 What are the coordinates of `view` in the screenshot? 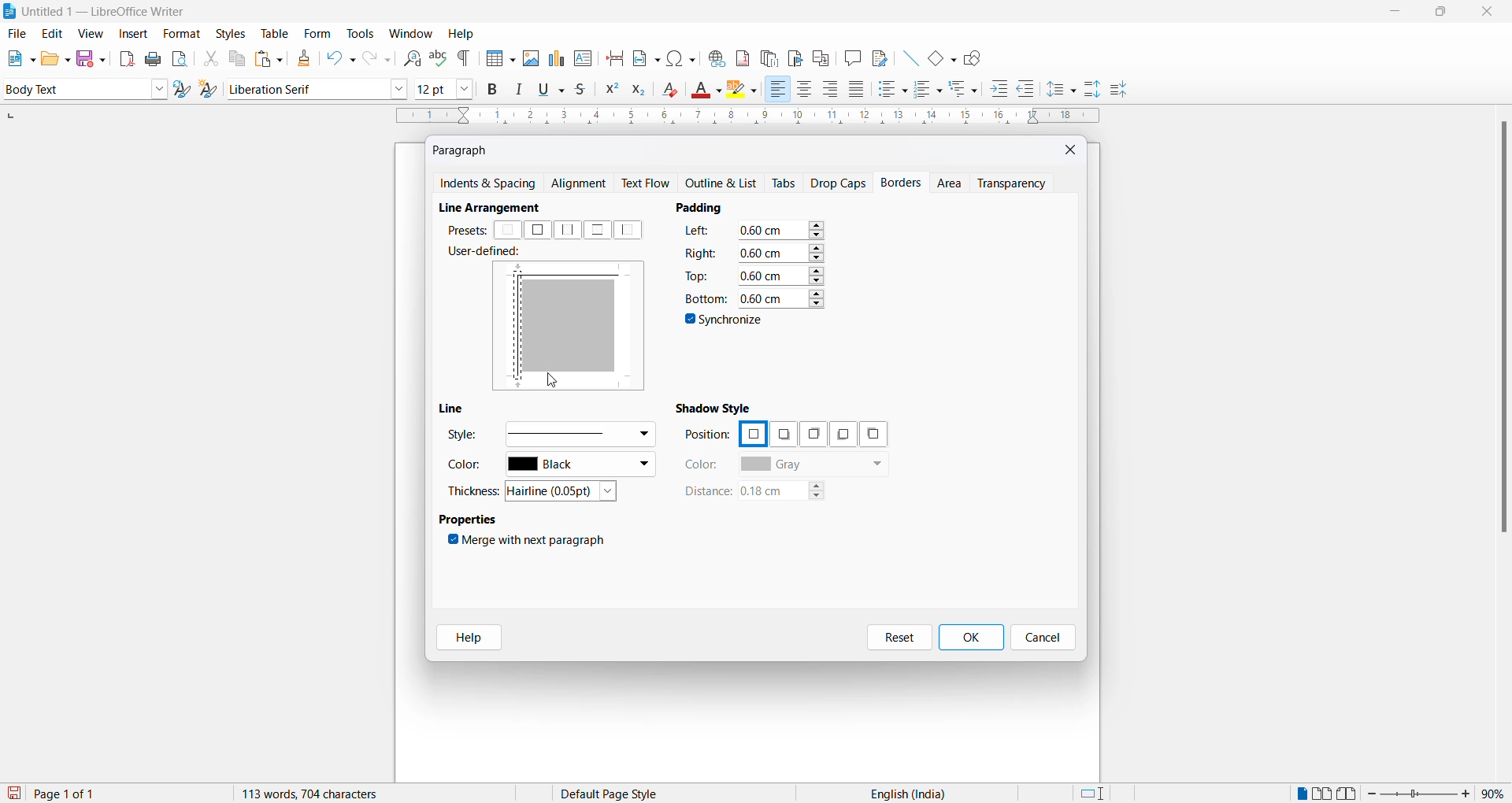 It's located at (93, 33).